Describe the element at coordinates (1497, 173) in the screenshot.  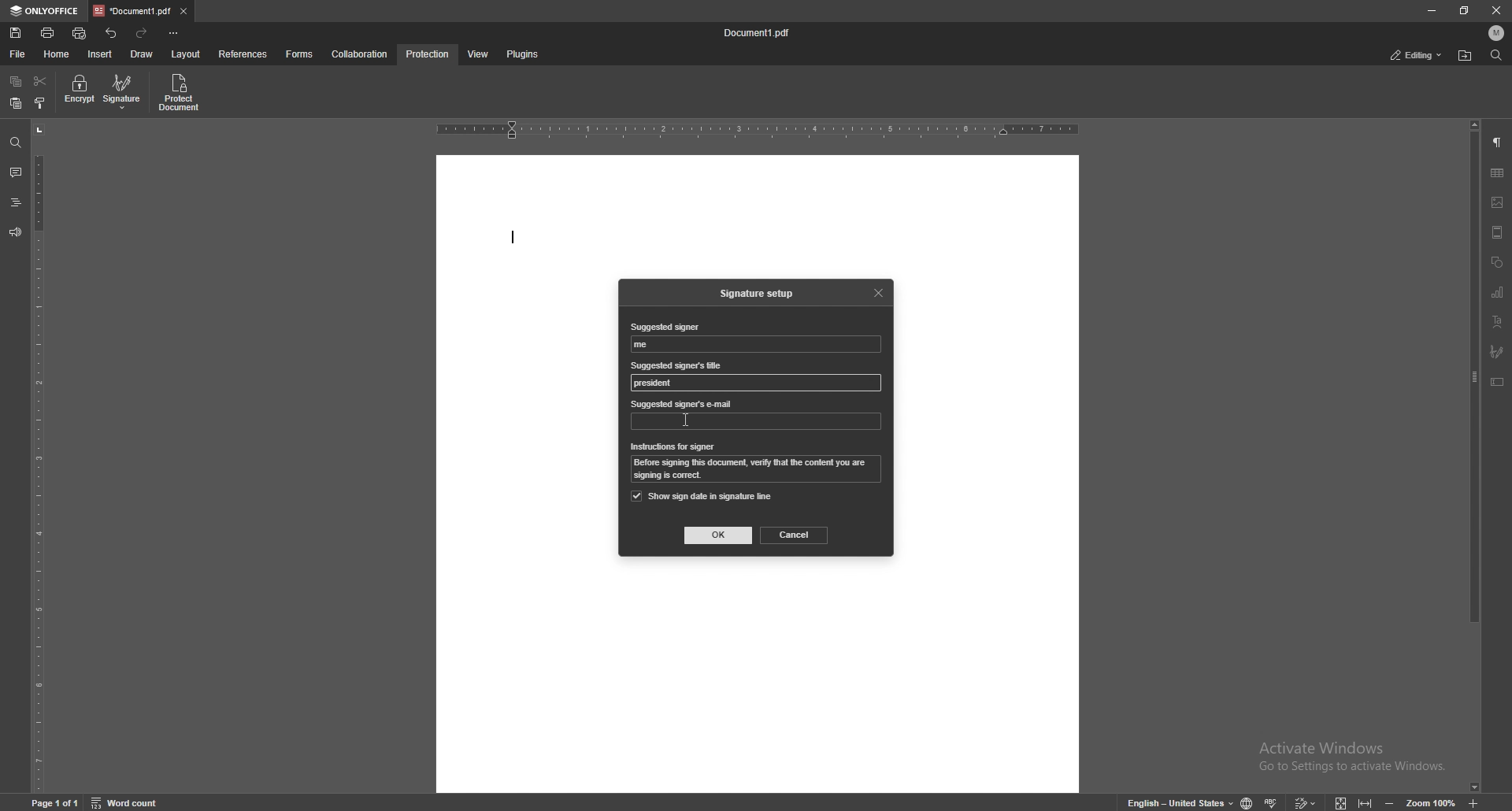
I see `table` at that location.